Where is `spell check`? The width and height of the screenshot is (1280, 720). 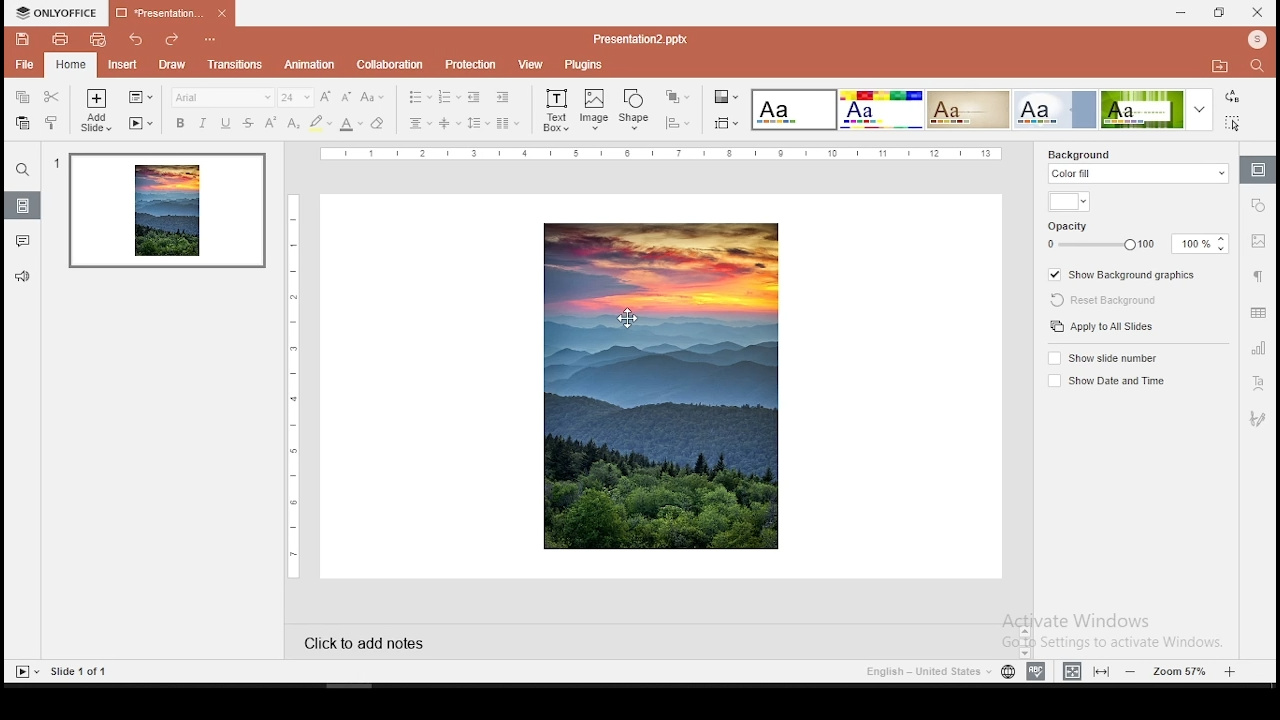 spell check is located at coordinates (1036, 671).